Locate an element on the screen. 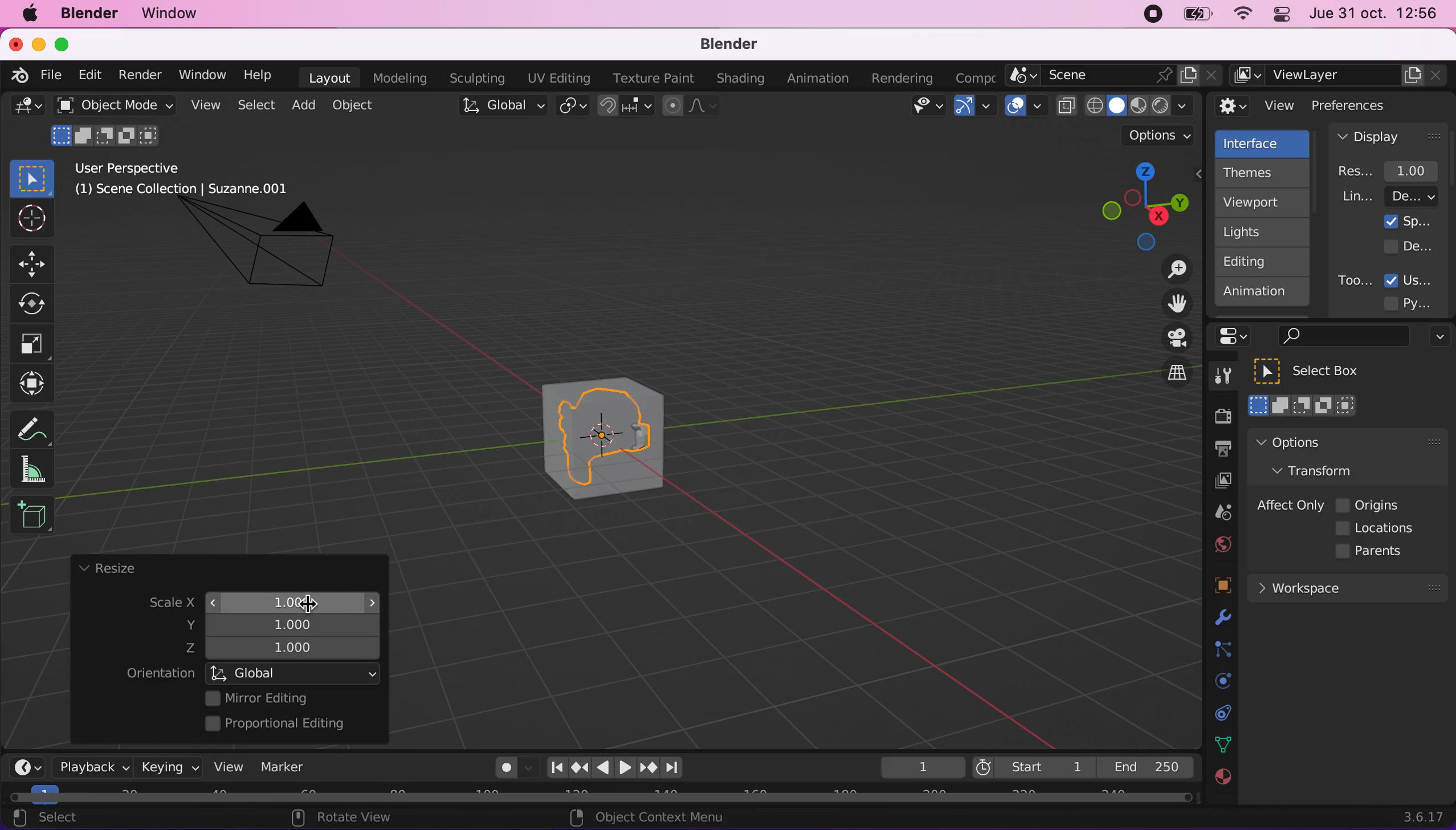 The width and height of the screenshot is (1456, 830). autokeying is located at coordinates (507, 771).